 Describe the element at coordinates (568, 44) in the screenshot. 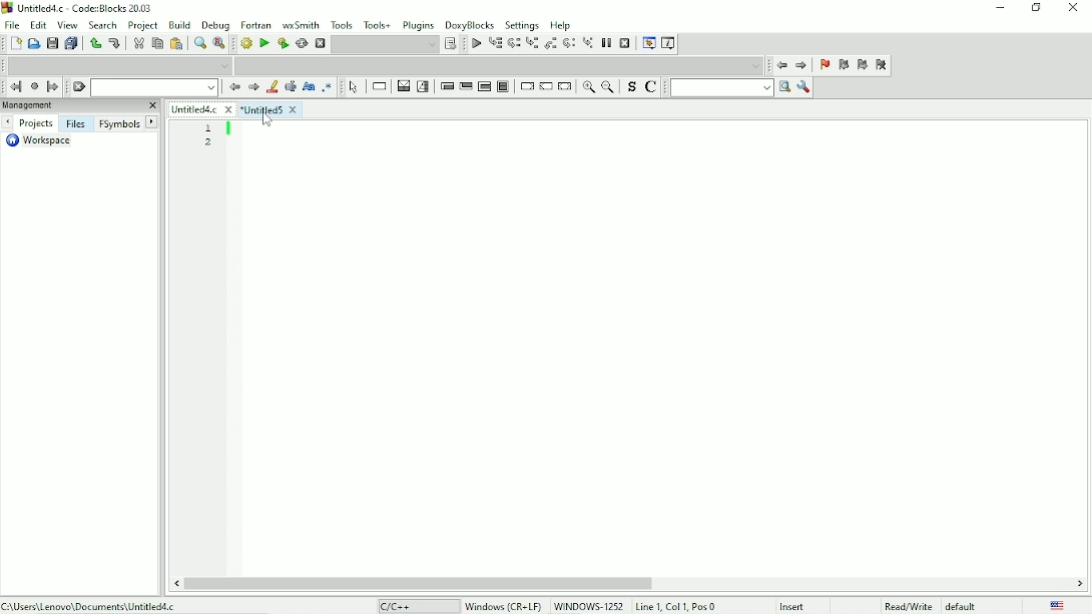

I see `Next instruction` at that location.